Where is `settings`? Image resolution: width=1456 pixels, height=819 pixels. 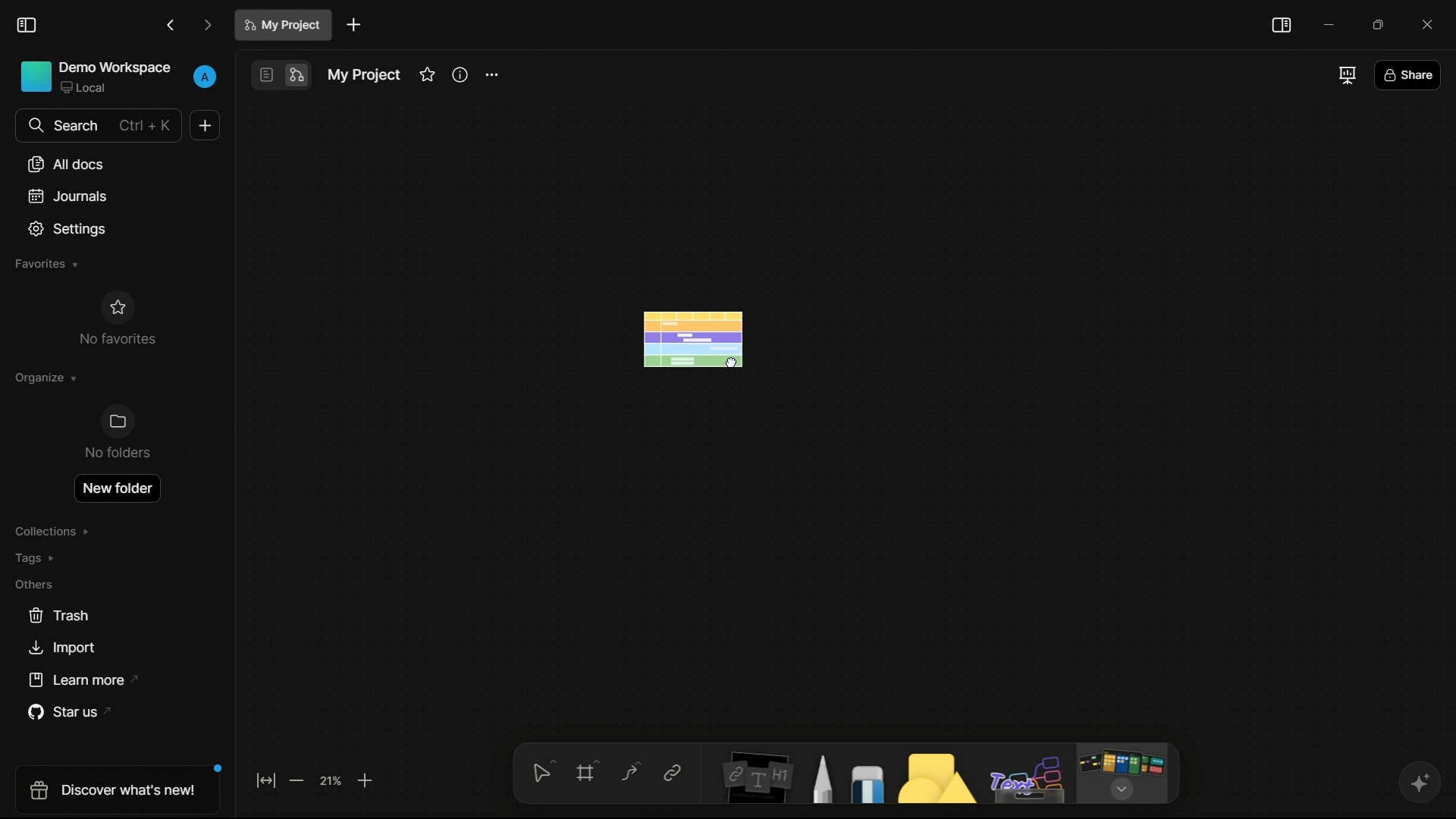 settings is located at coordinates (68, 229).